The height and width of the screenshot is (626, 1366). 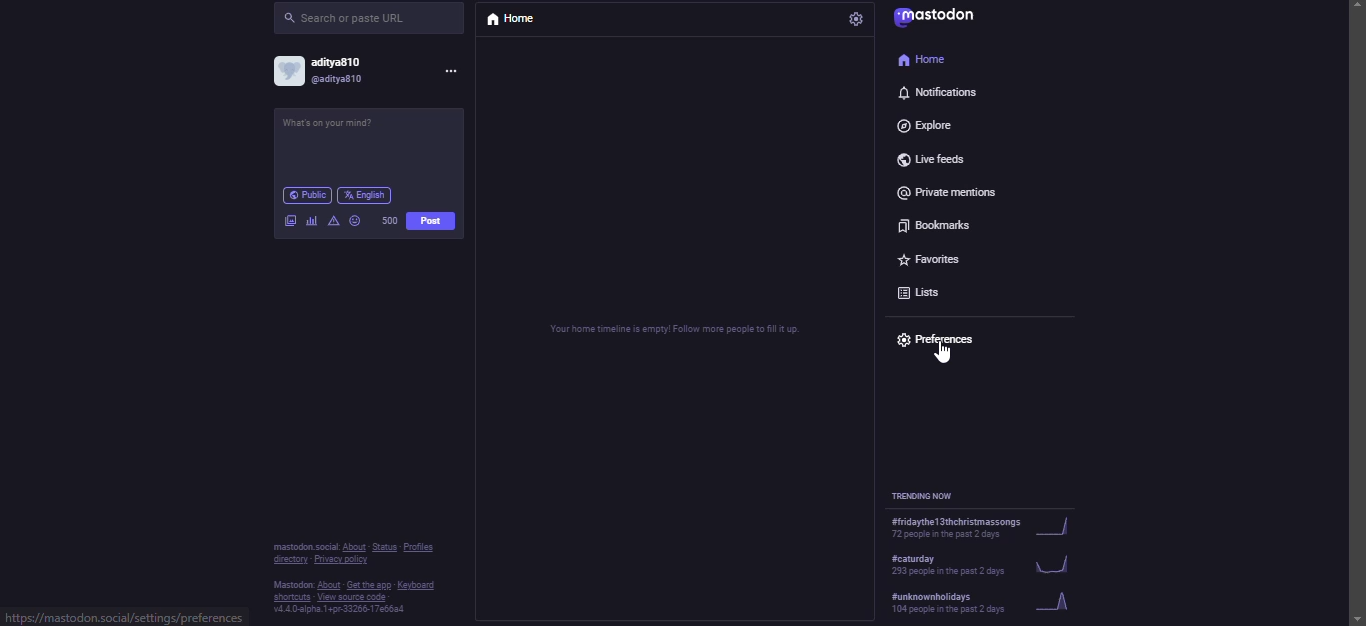 I want to click on mastodon, so click(x=938, y=16).